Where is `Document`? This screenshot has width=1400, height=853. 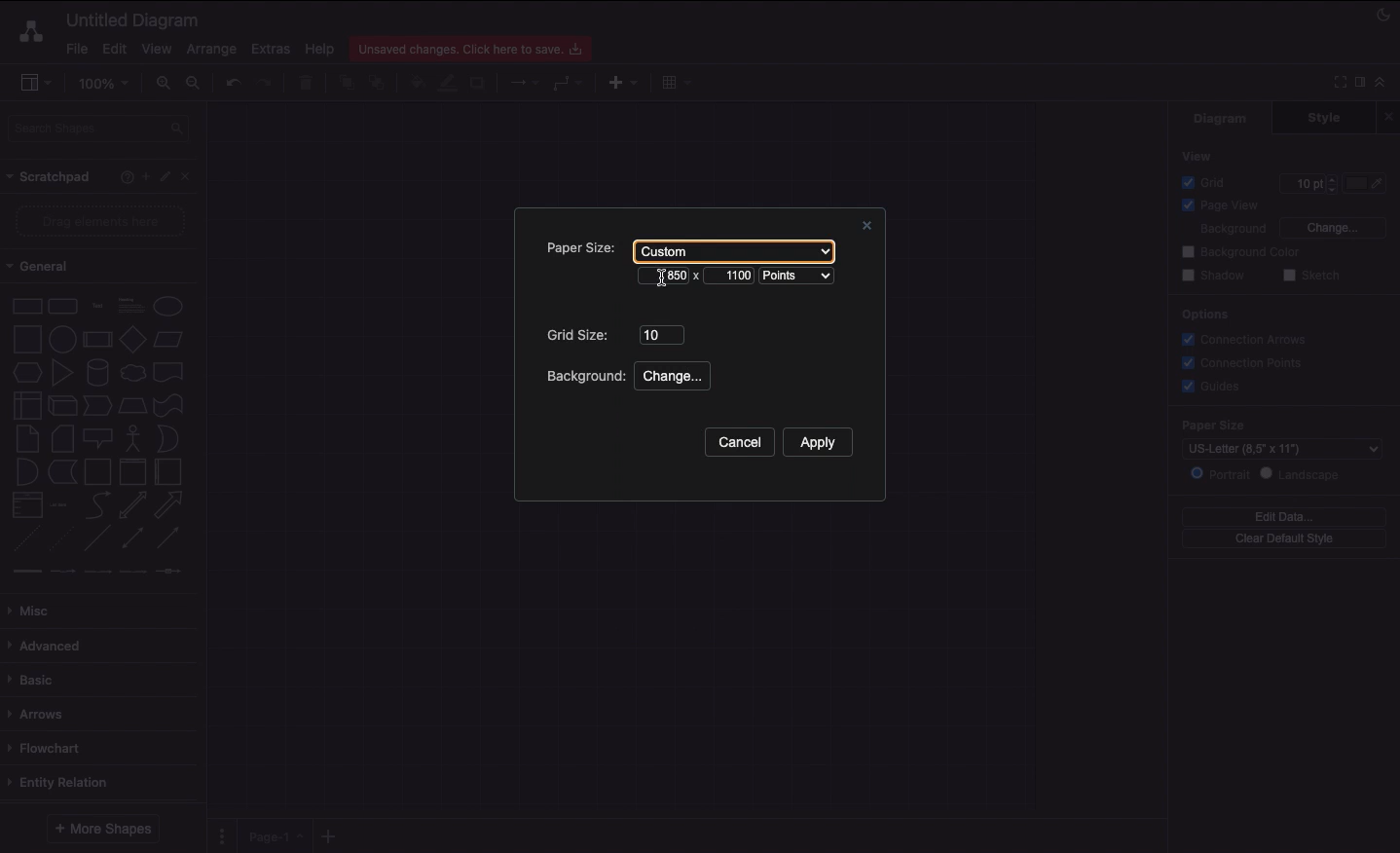
Document is located at coordinates (169, 372).